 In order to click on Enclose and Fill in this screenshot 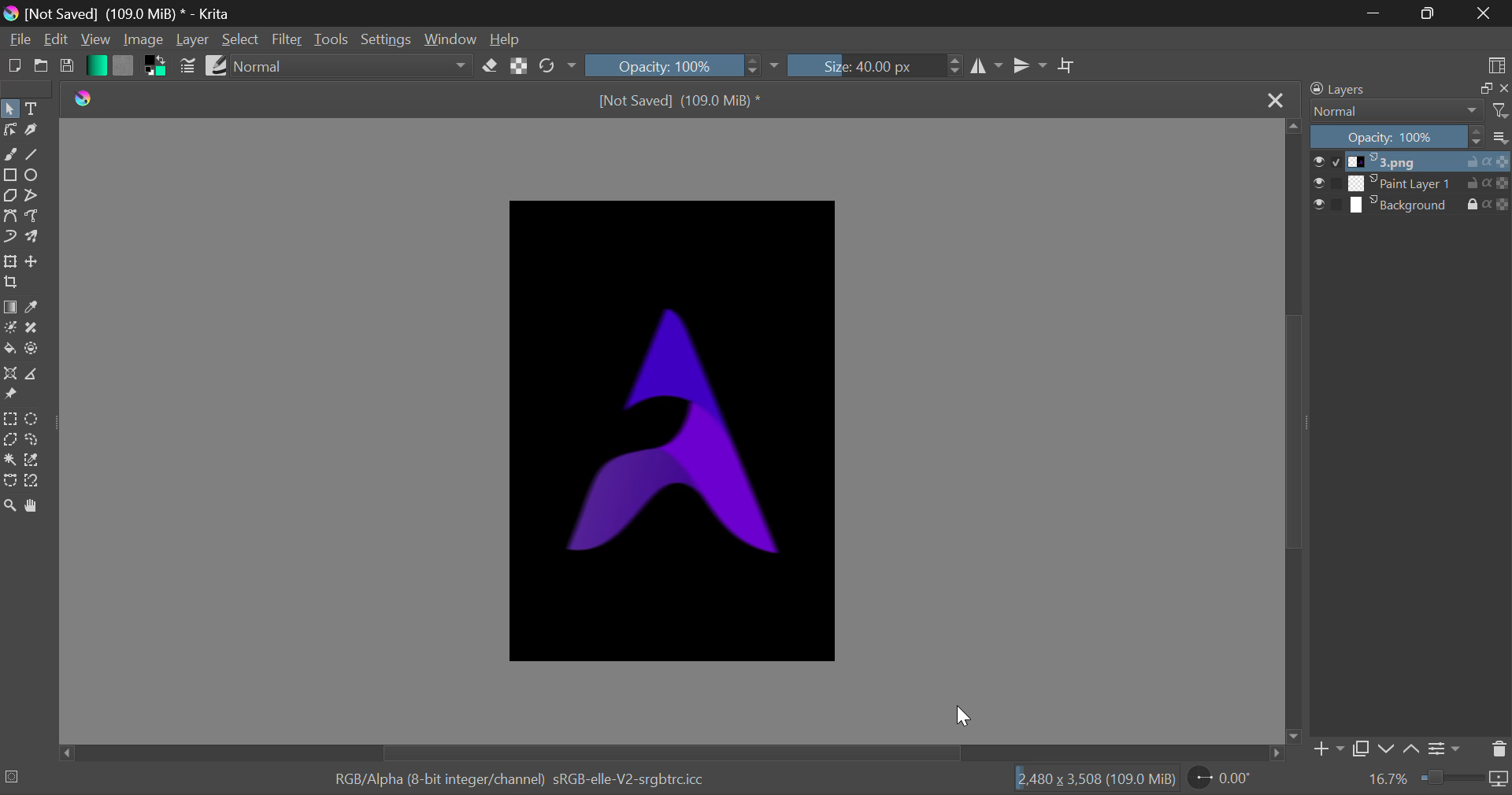, I will do `click(33, 351)`.